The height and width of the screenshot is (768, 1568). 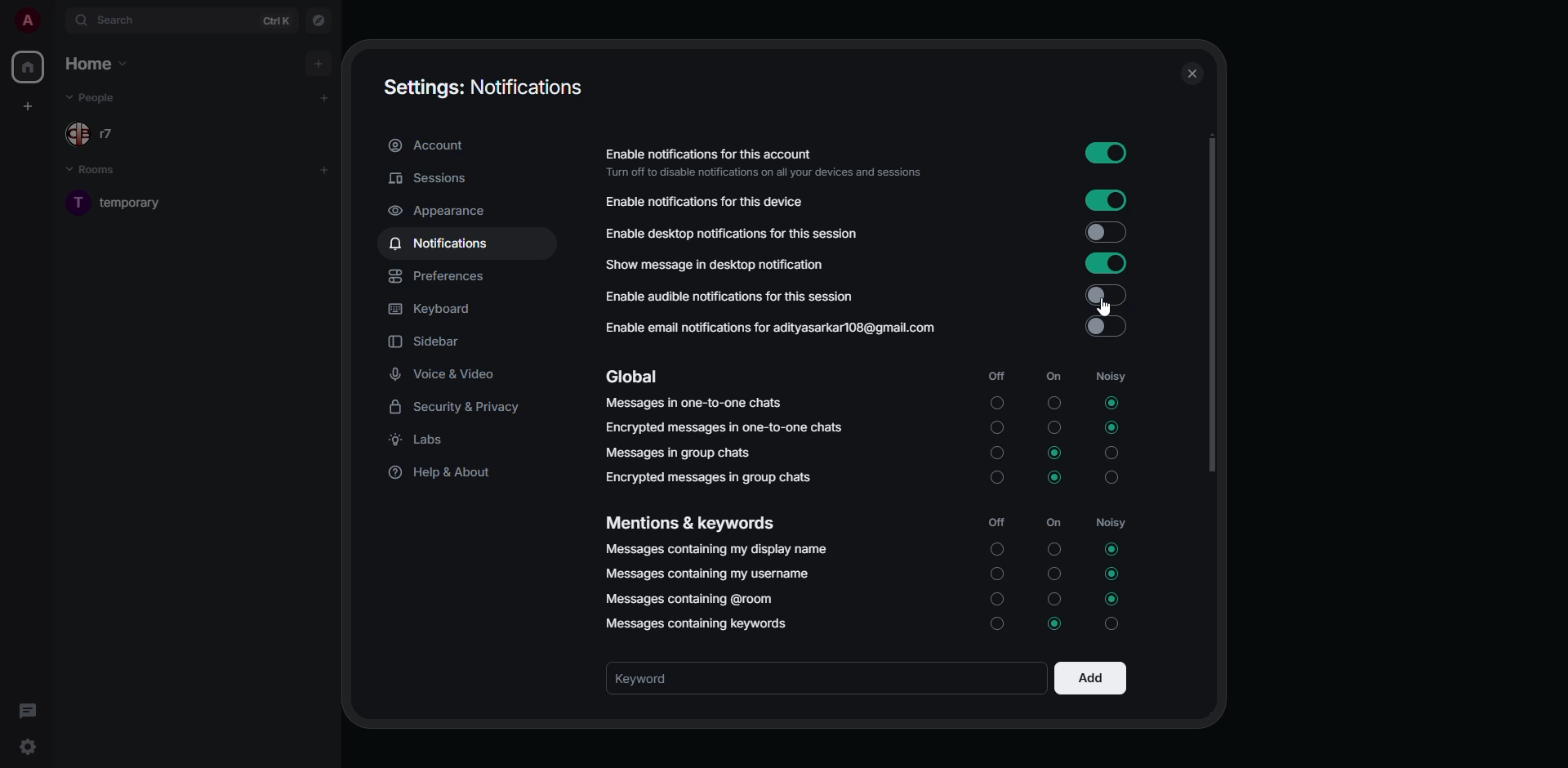 What do you see at coordinates (693, 598) in the screenshot?
I see `messages containing @room` at bounding box center [693, 598].